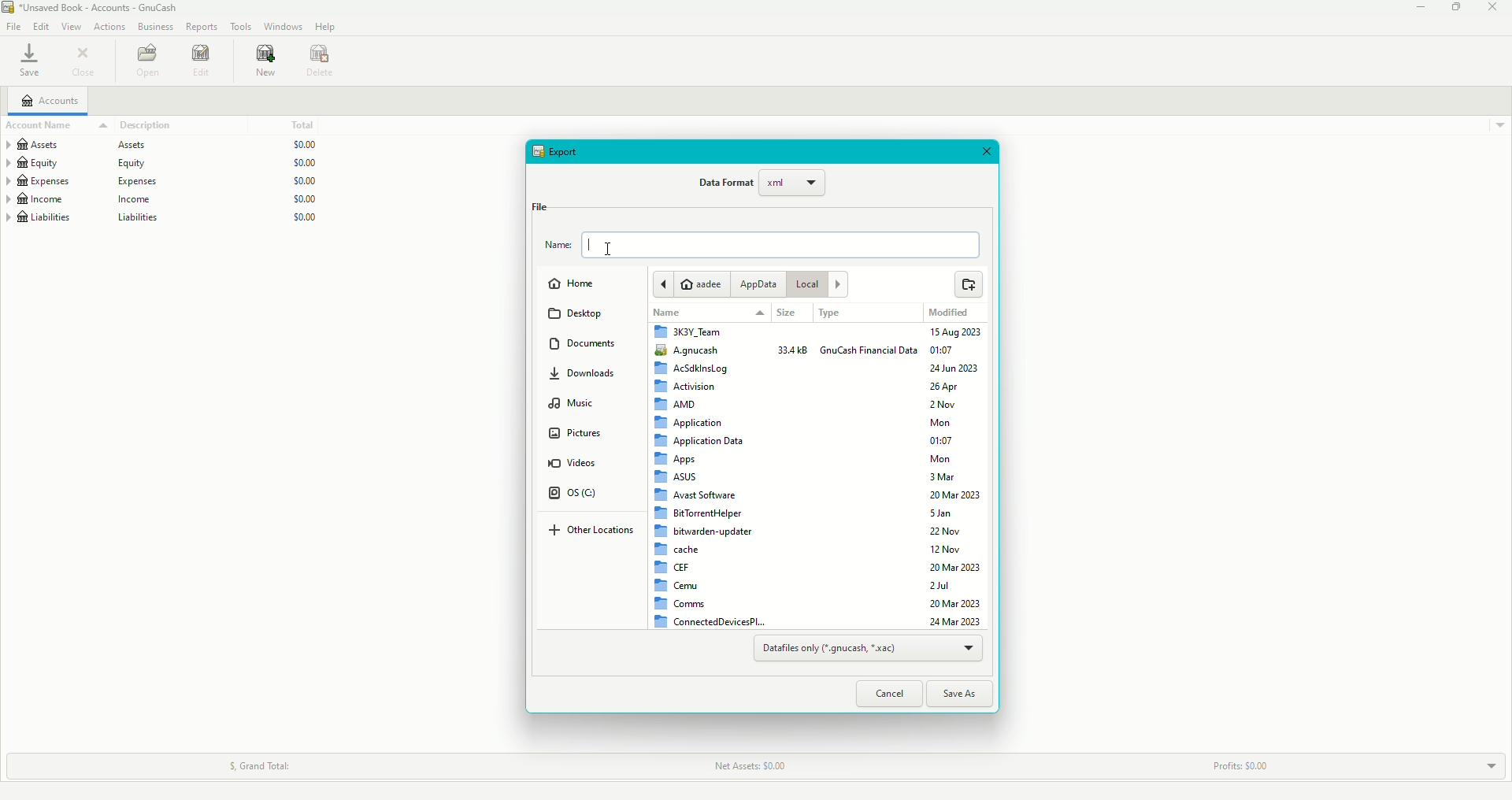 This screenshot has height=800, width=1512. I want to click on OS, so click(578, 496).